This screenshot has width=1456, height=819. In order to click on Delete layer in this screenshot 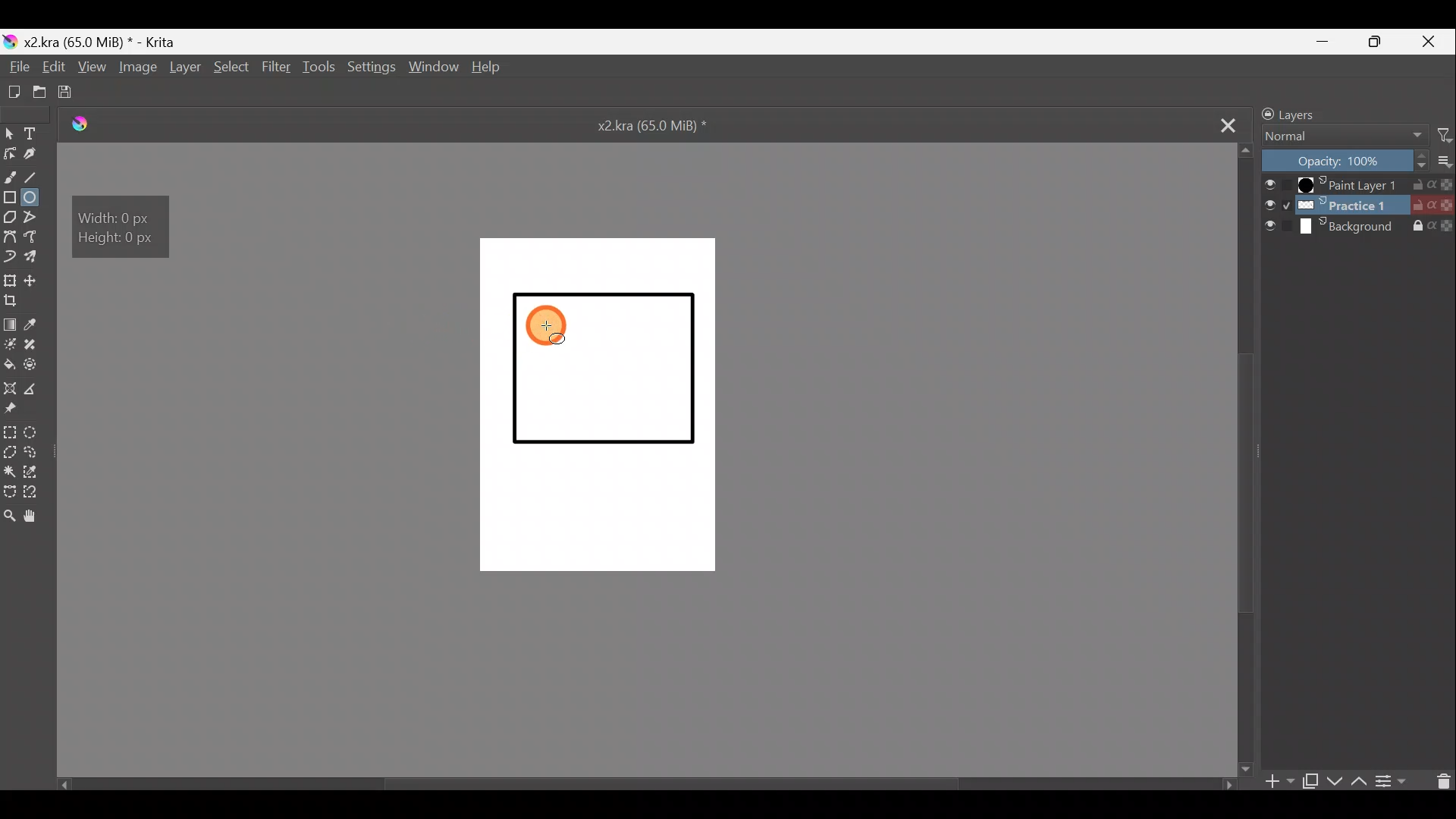, I will do `click(1439, 782)`.